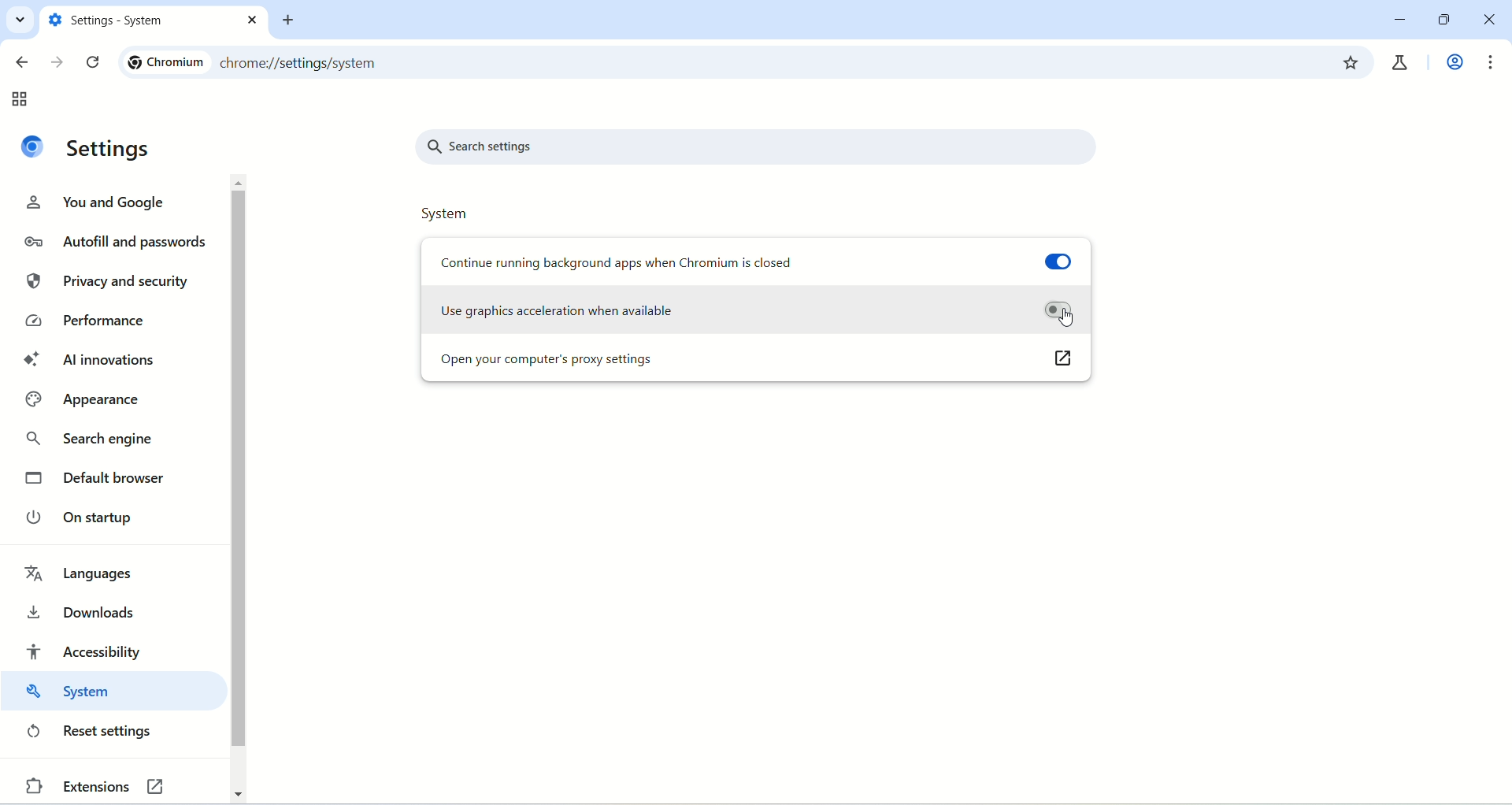 The image size is (1512, 805). I want to click on search engine, so click(94, 443).